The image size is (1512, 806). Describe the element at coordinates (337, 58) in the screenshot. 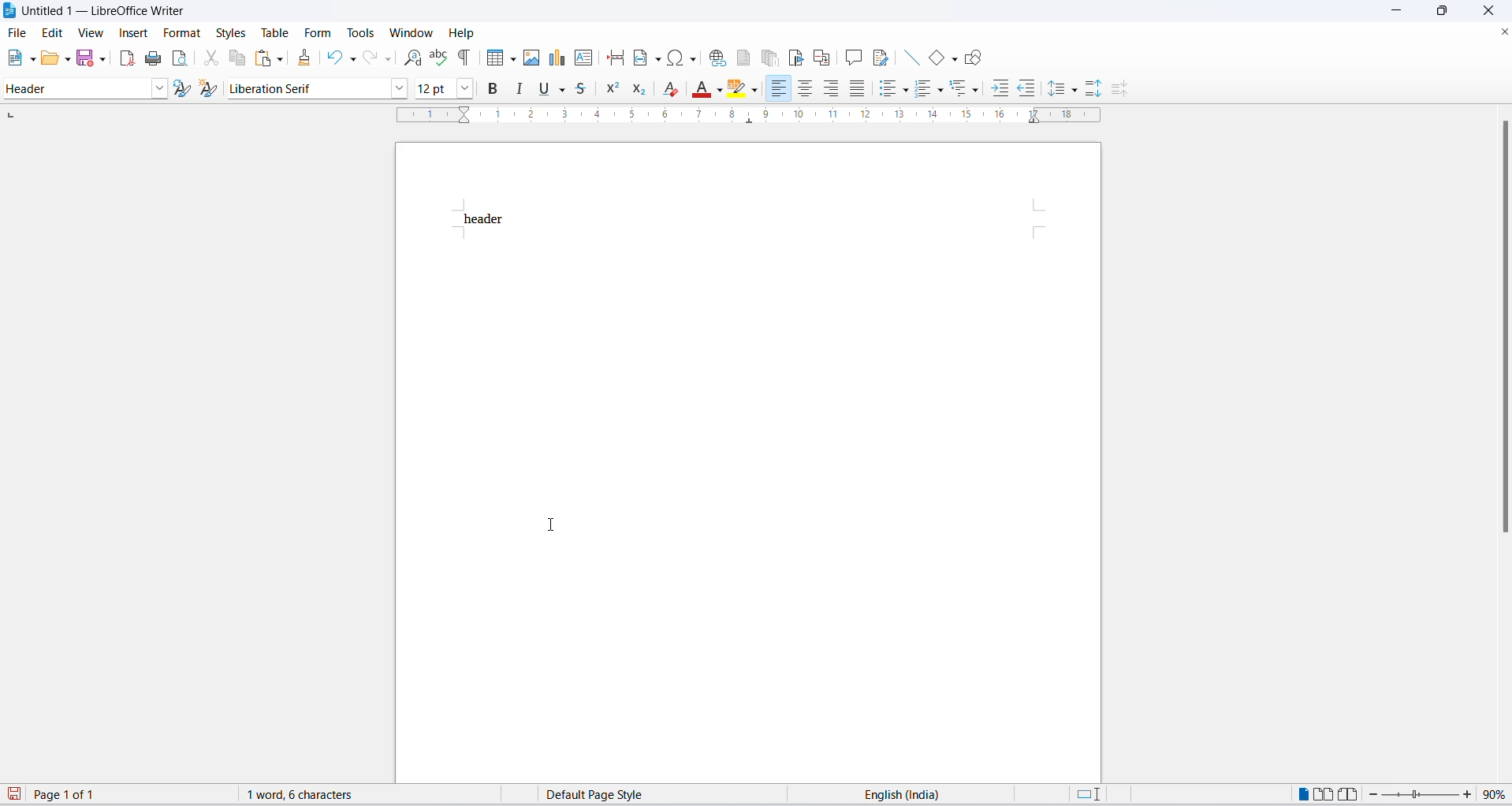

I see `undo` at that location.